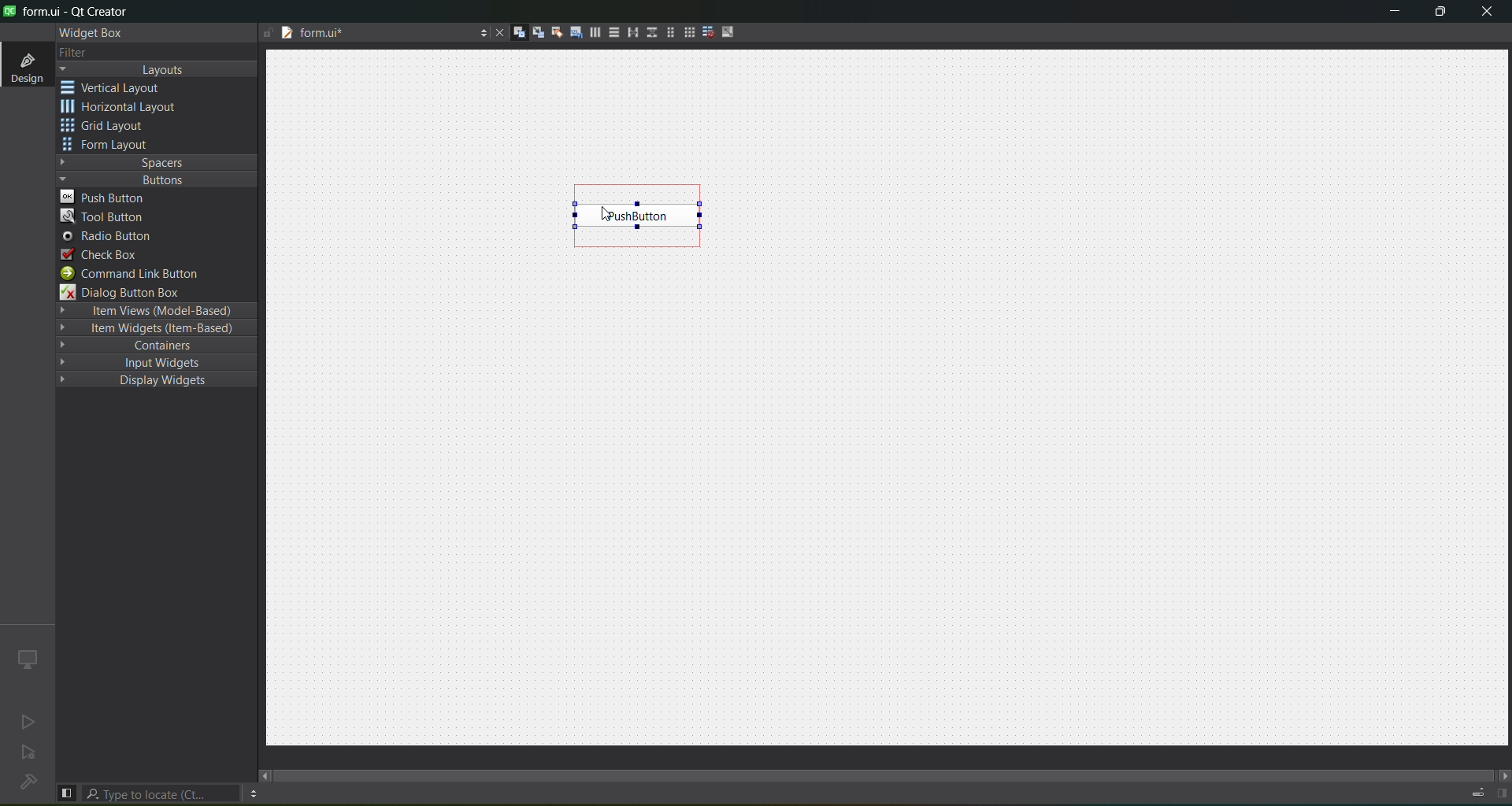  What do you see at coordinates (688, 34) in the screenshot?
I see `layout in a grid` at bounding box center [688, 34].